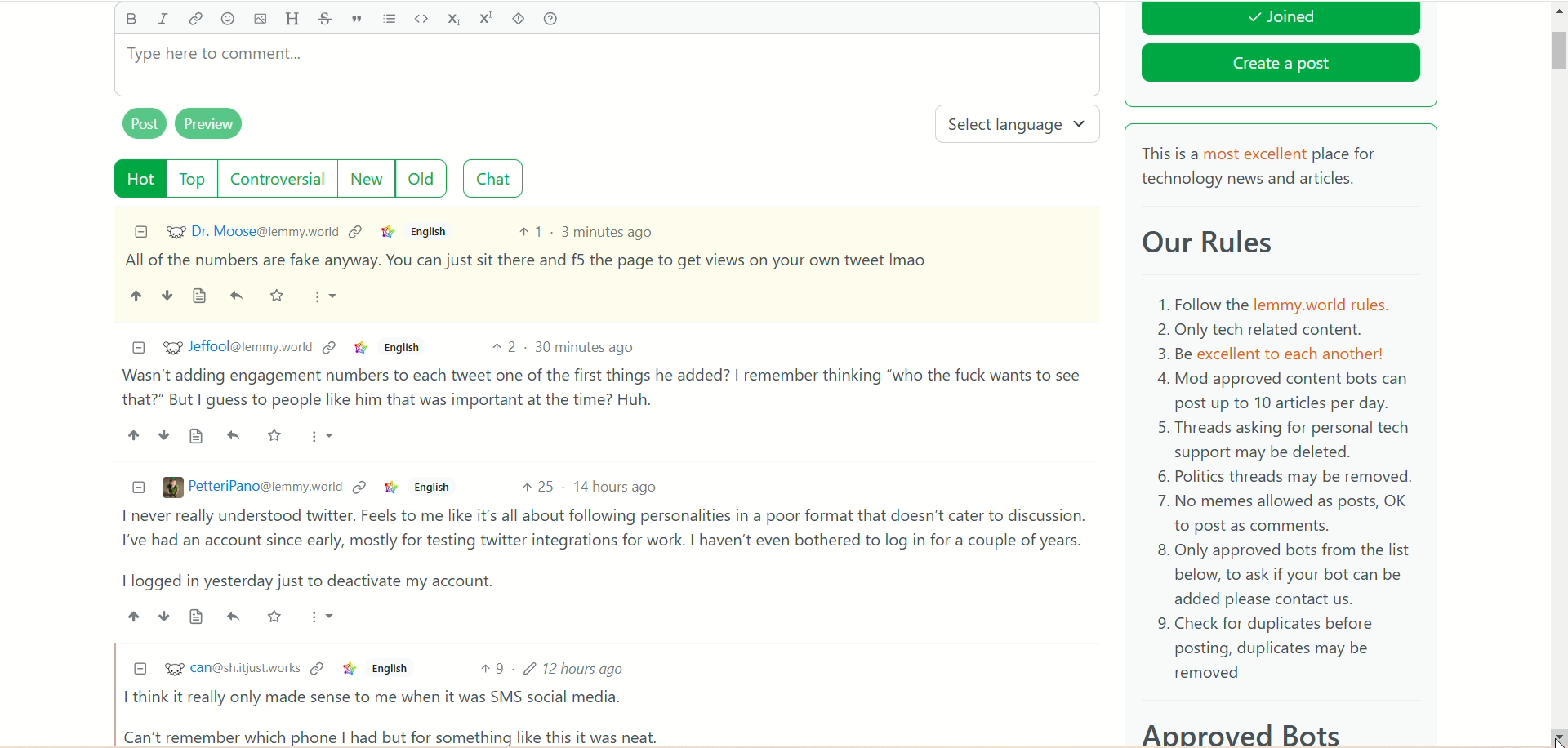  Describe the element at coordinates (164, 434) in the screenshot. I see `Downvote` at that location.